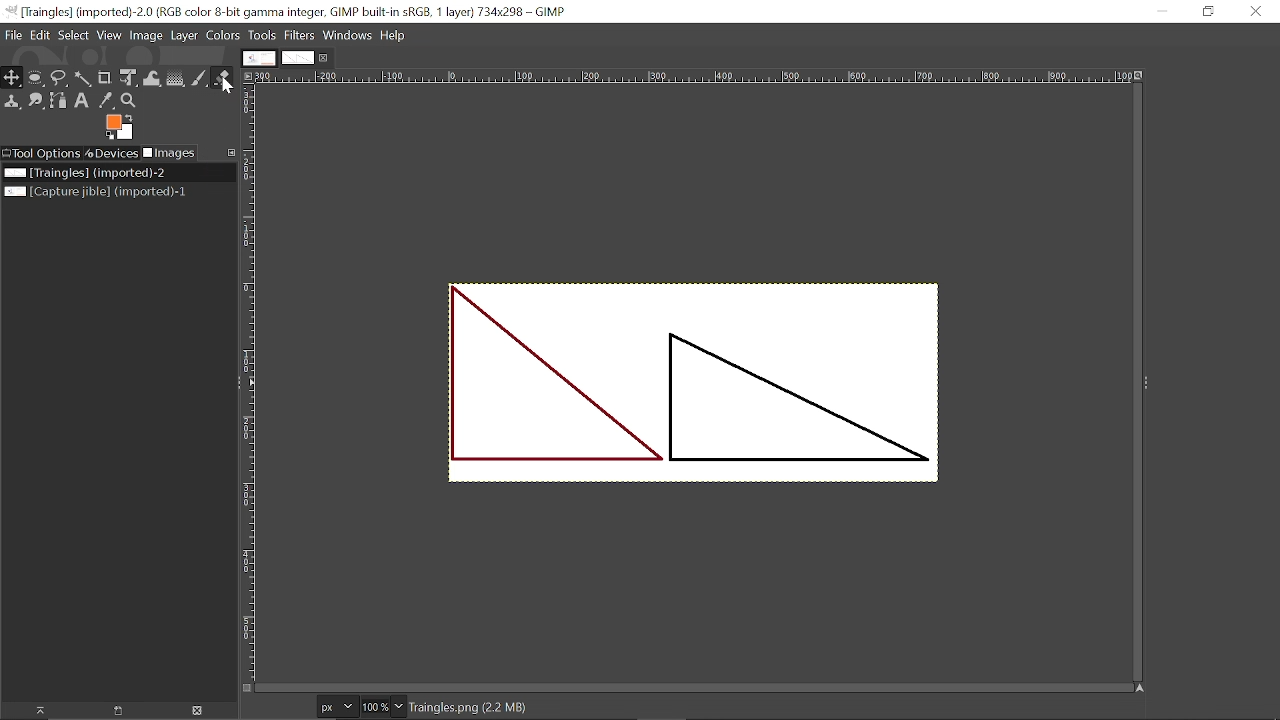 Image resolution: width=1280 pixels, height=720 pixels. Describe the element at coordinates (1149, 383) in the screenshot. I see `Sidebar menu` at that location.